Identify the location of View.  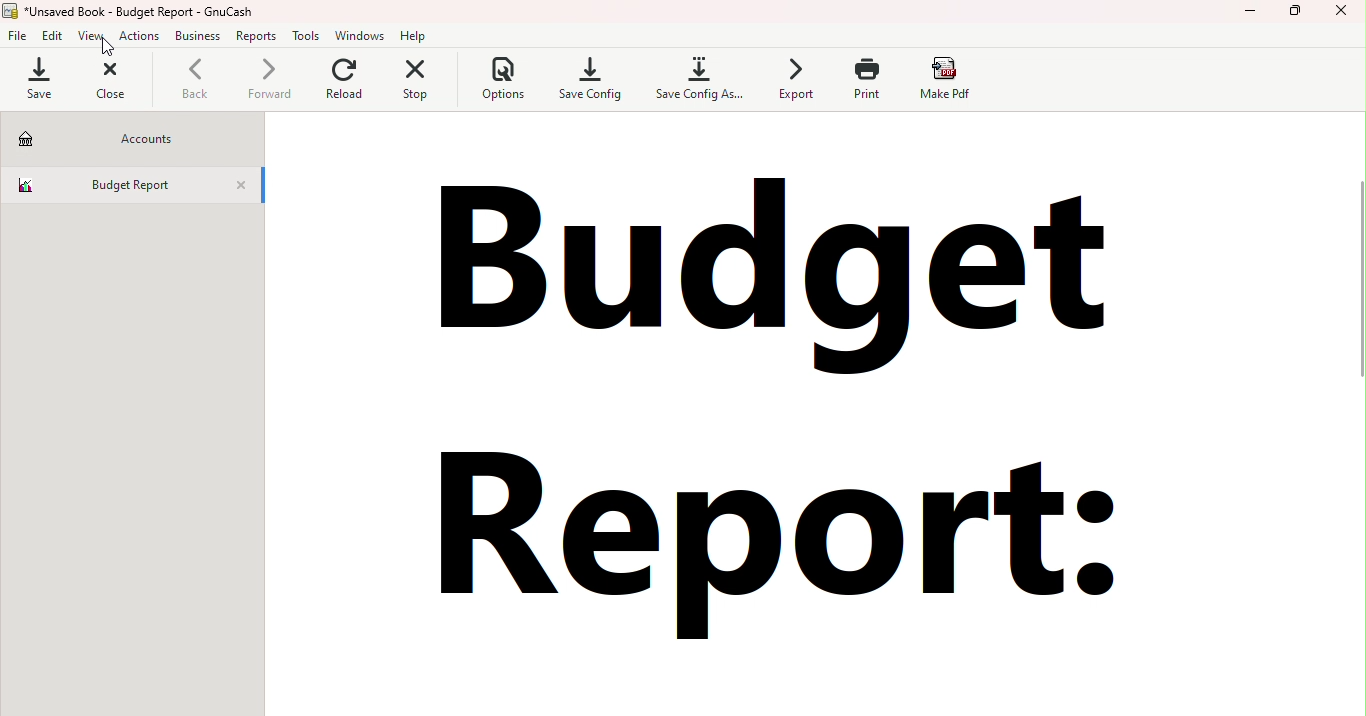
(92, 38).